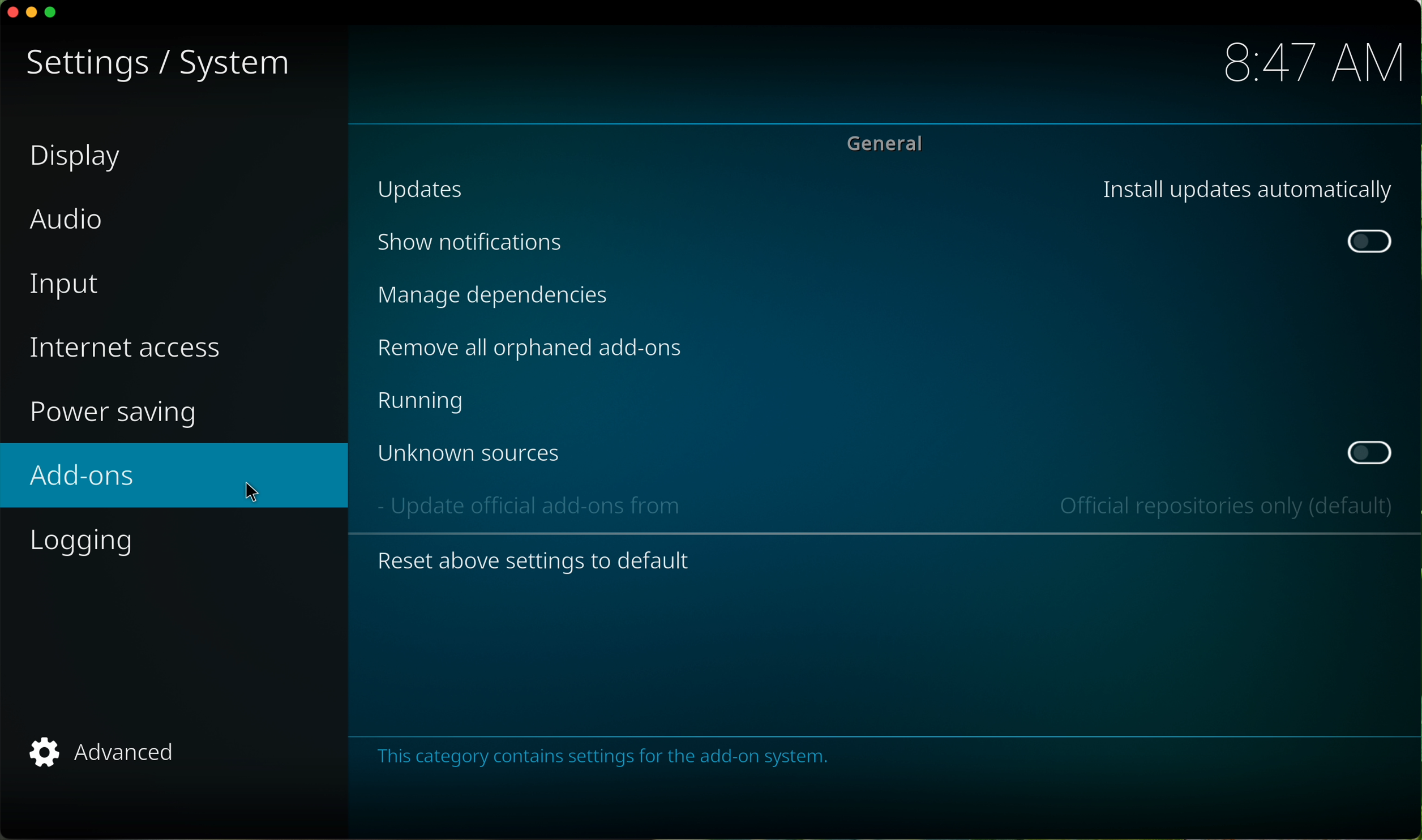  What do you see at coordinates (10, 12) in the screenshot?
I see `close` at bounding box center [10, 12].